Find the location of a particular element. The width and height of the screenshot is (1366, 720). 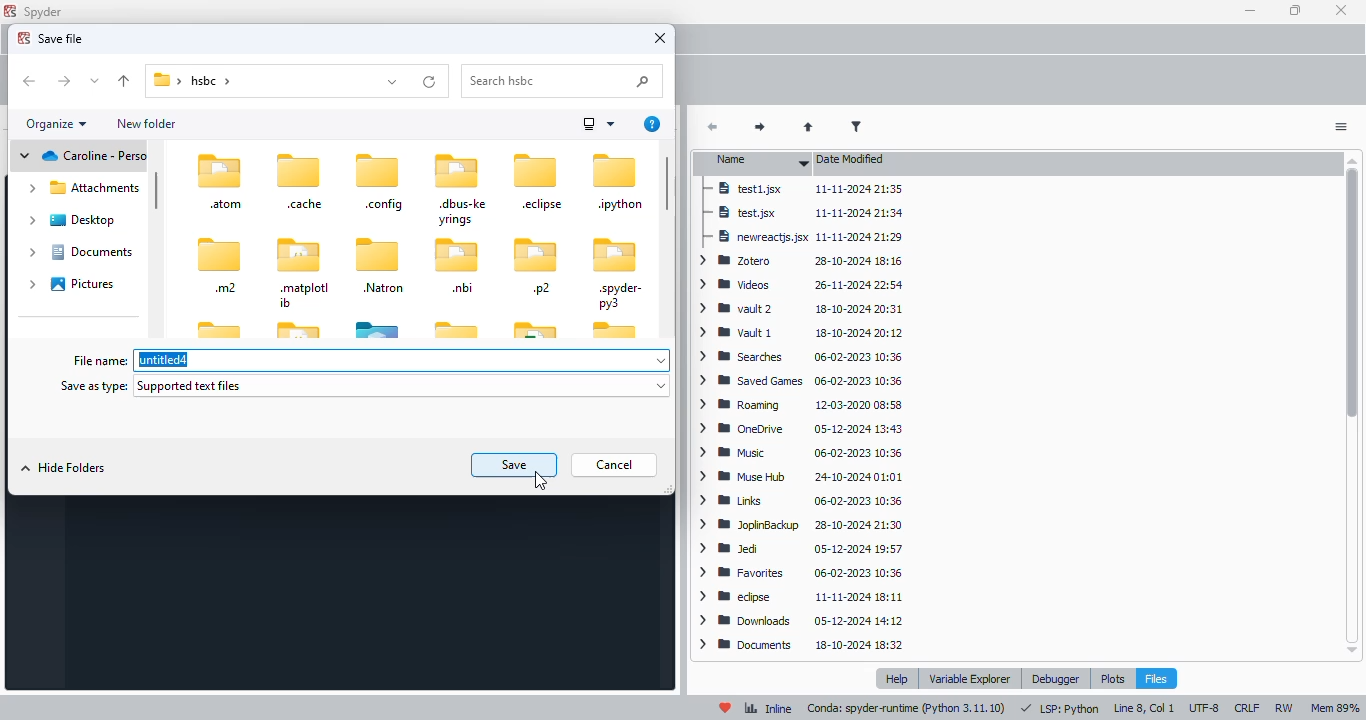

Music is located at coordinates (730, 452).